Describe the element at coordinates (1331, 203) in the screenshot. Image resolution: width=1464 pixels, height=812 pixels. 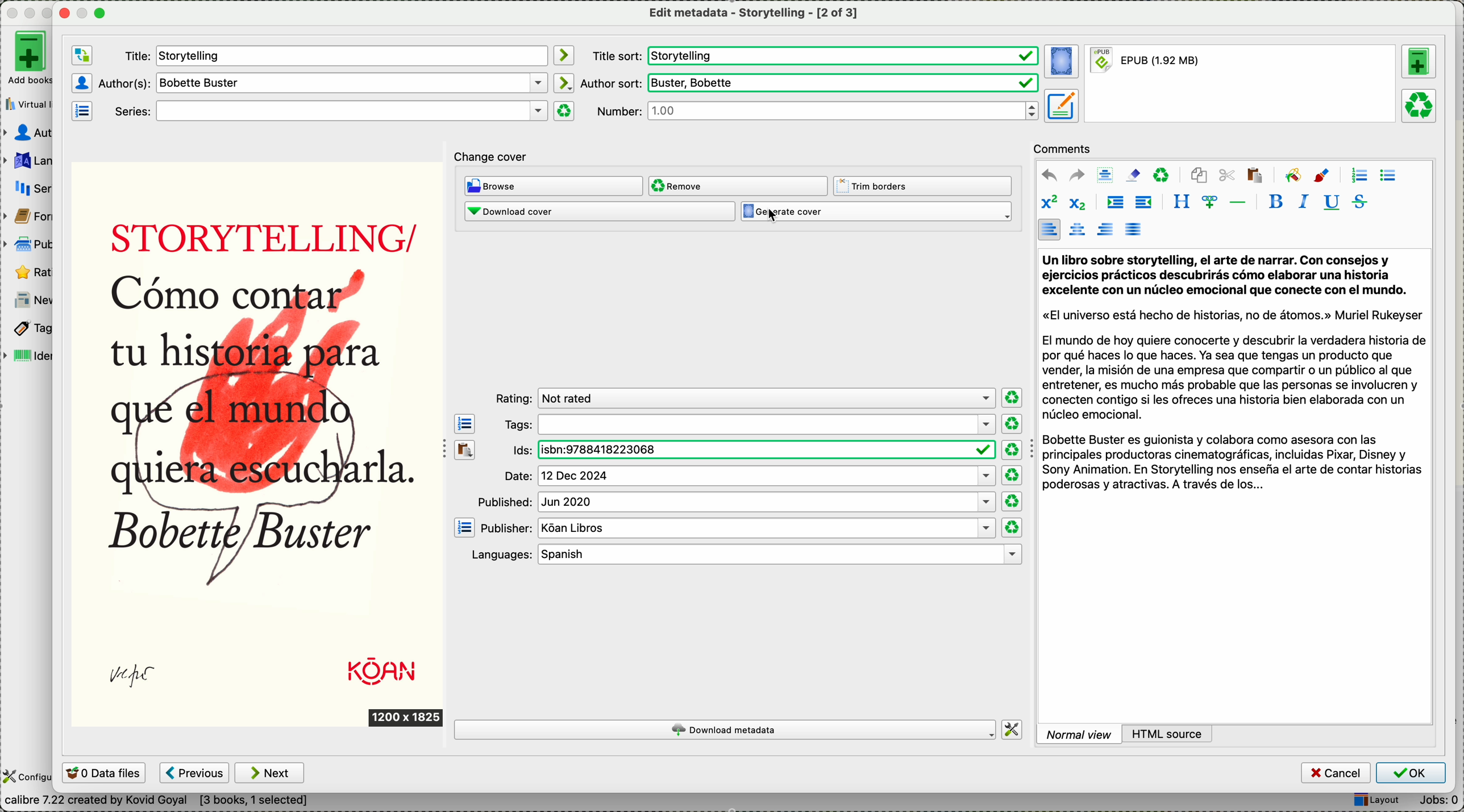
I see `underline` at that location.